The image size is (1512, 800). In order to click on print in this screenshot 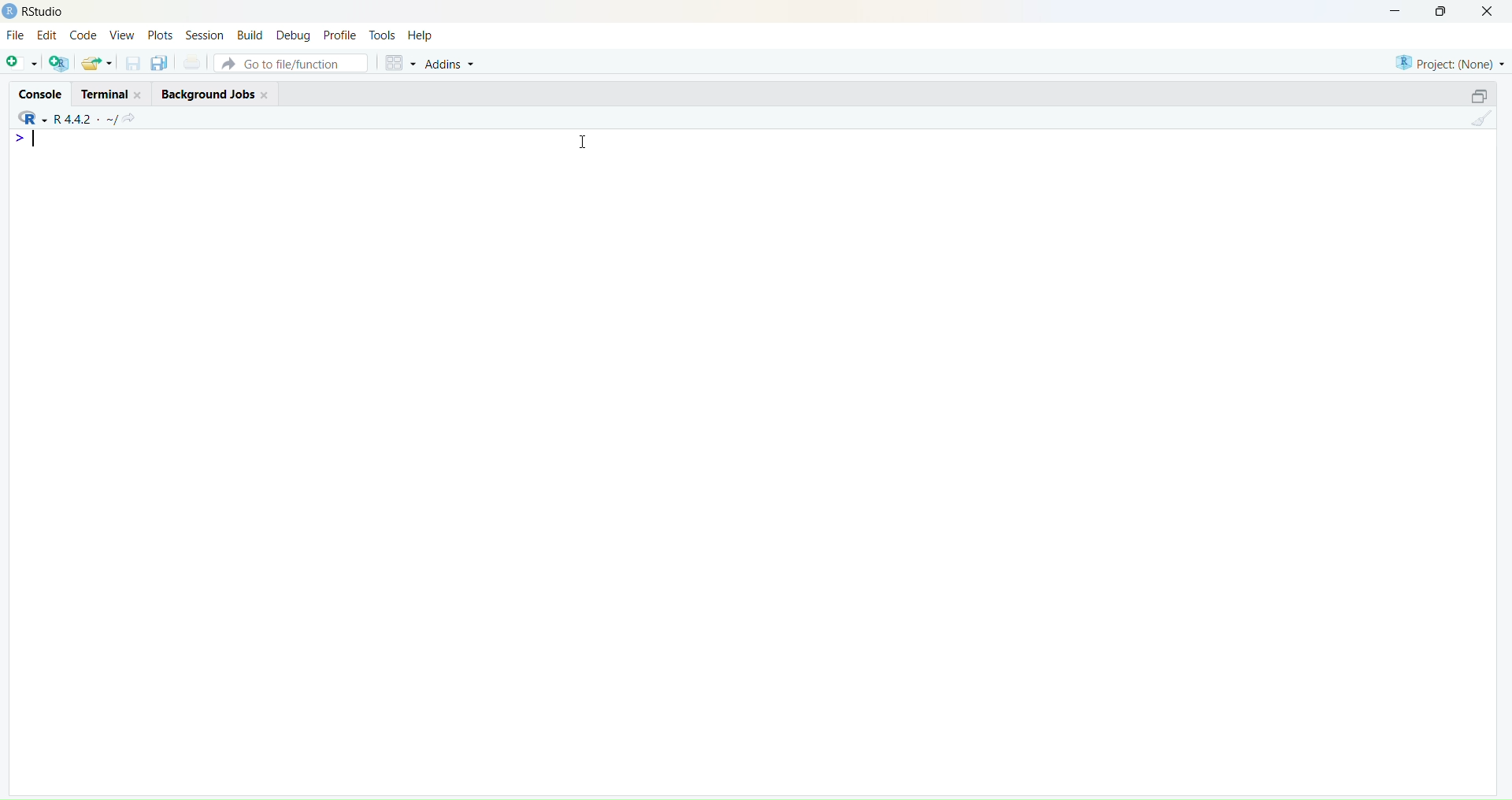, I will do `click(191, 61)`.